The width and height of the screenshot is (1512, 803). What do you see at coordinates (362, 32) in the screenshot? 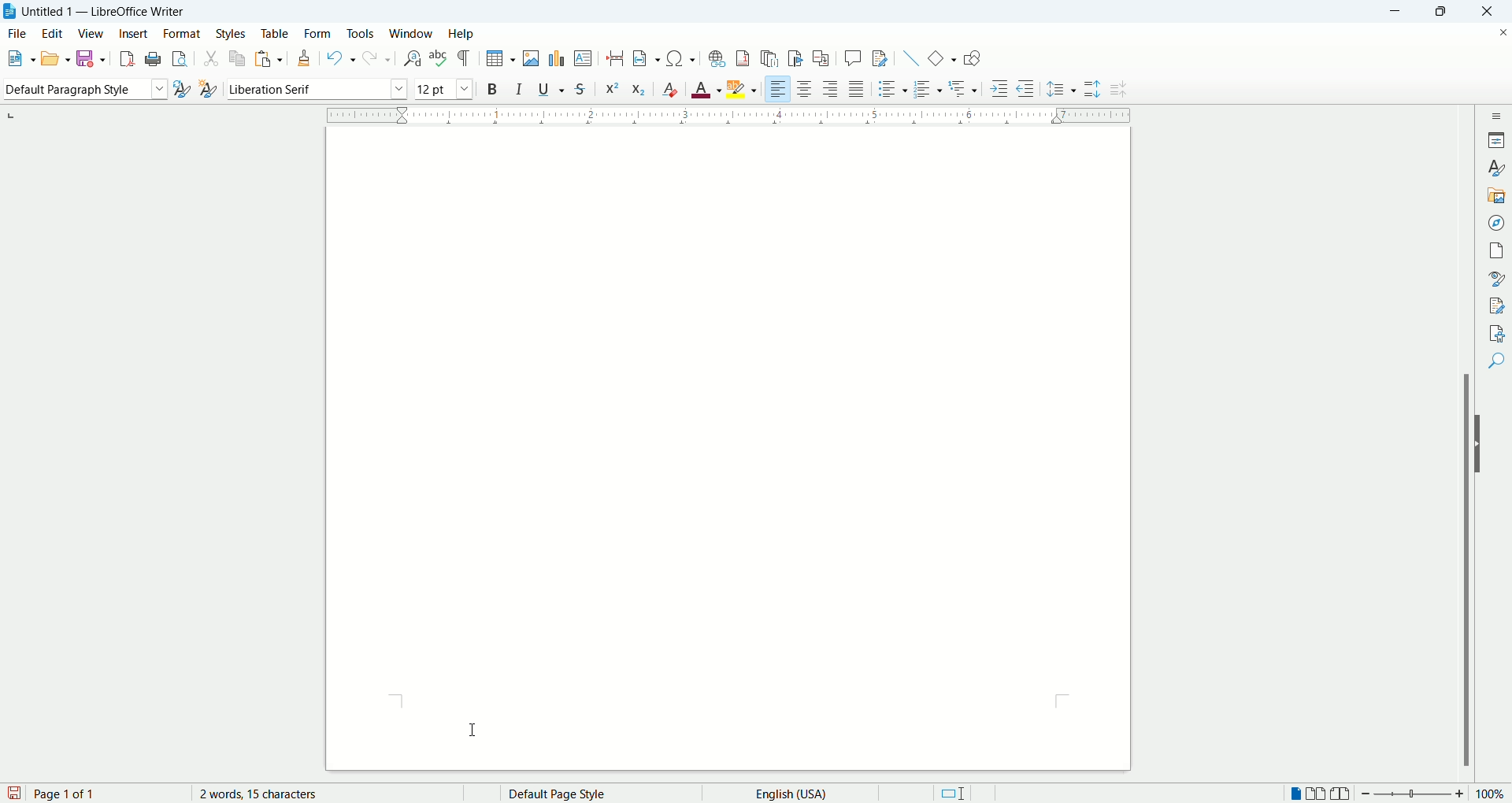
I see `tools` at bounding box center [362, 32].